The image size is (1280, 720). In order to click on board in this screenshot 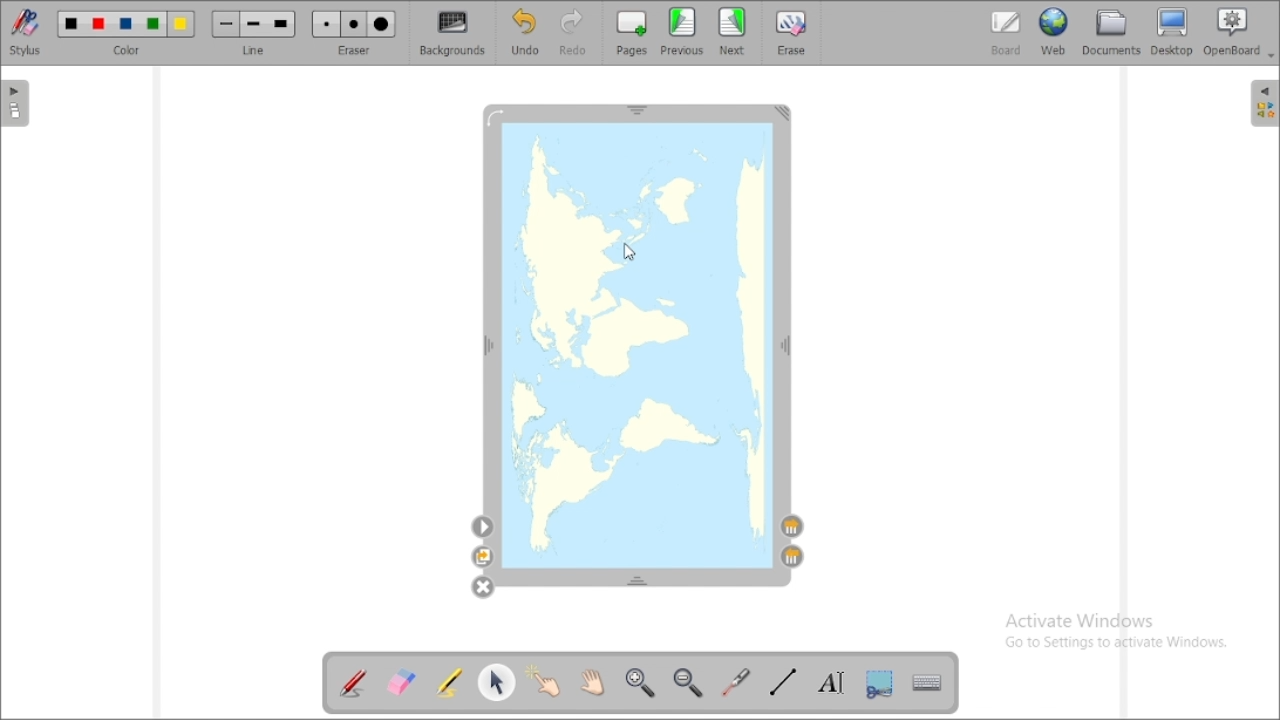, I will do `click(1006, 33)`.